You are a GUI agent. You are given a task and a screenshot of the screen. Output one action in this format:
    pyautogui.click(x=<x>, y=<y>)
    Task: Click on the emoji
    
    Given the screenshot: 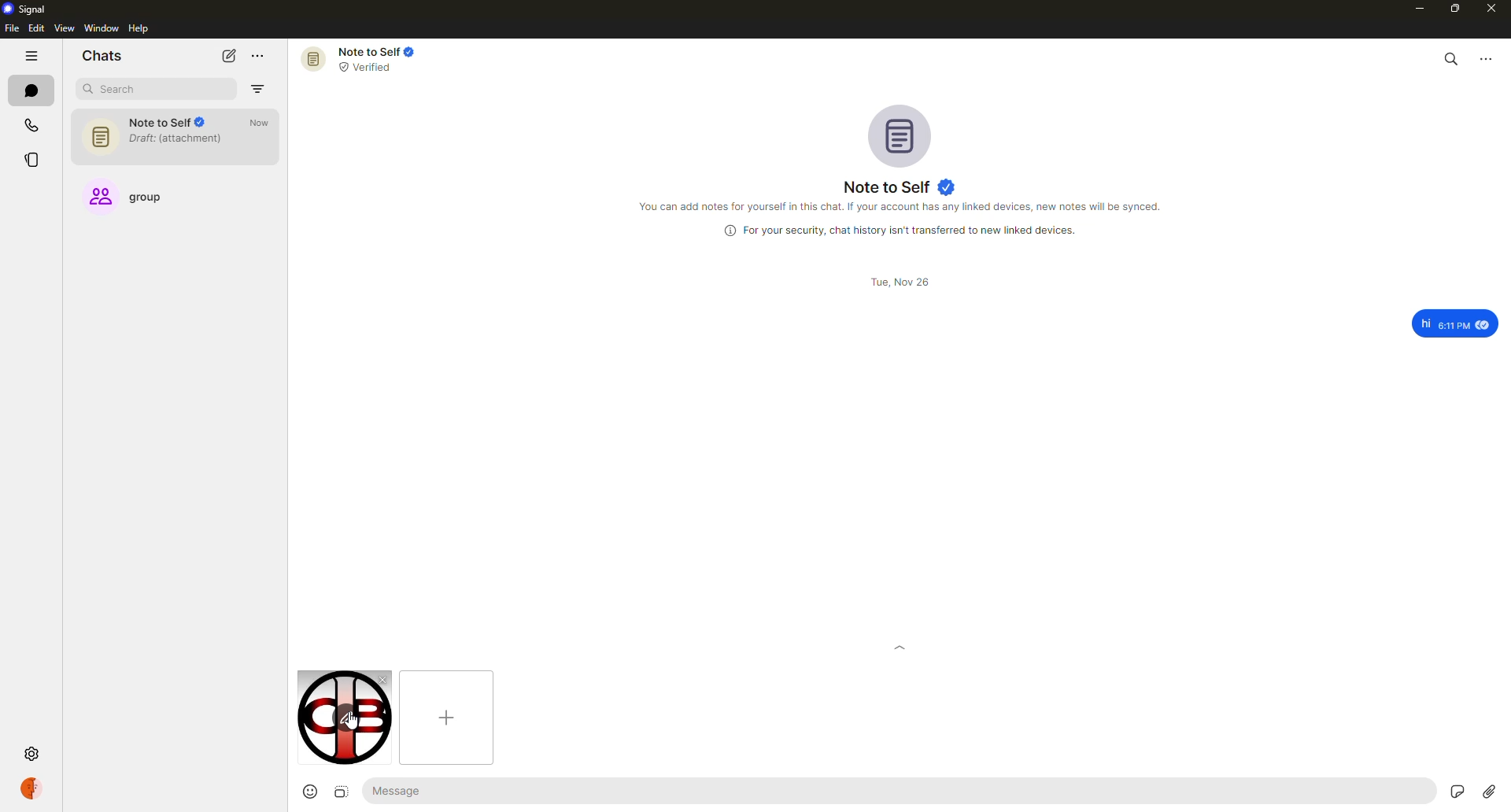 What is the action you would take?
    pyautogui.click(x=307, y=788)
    